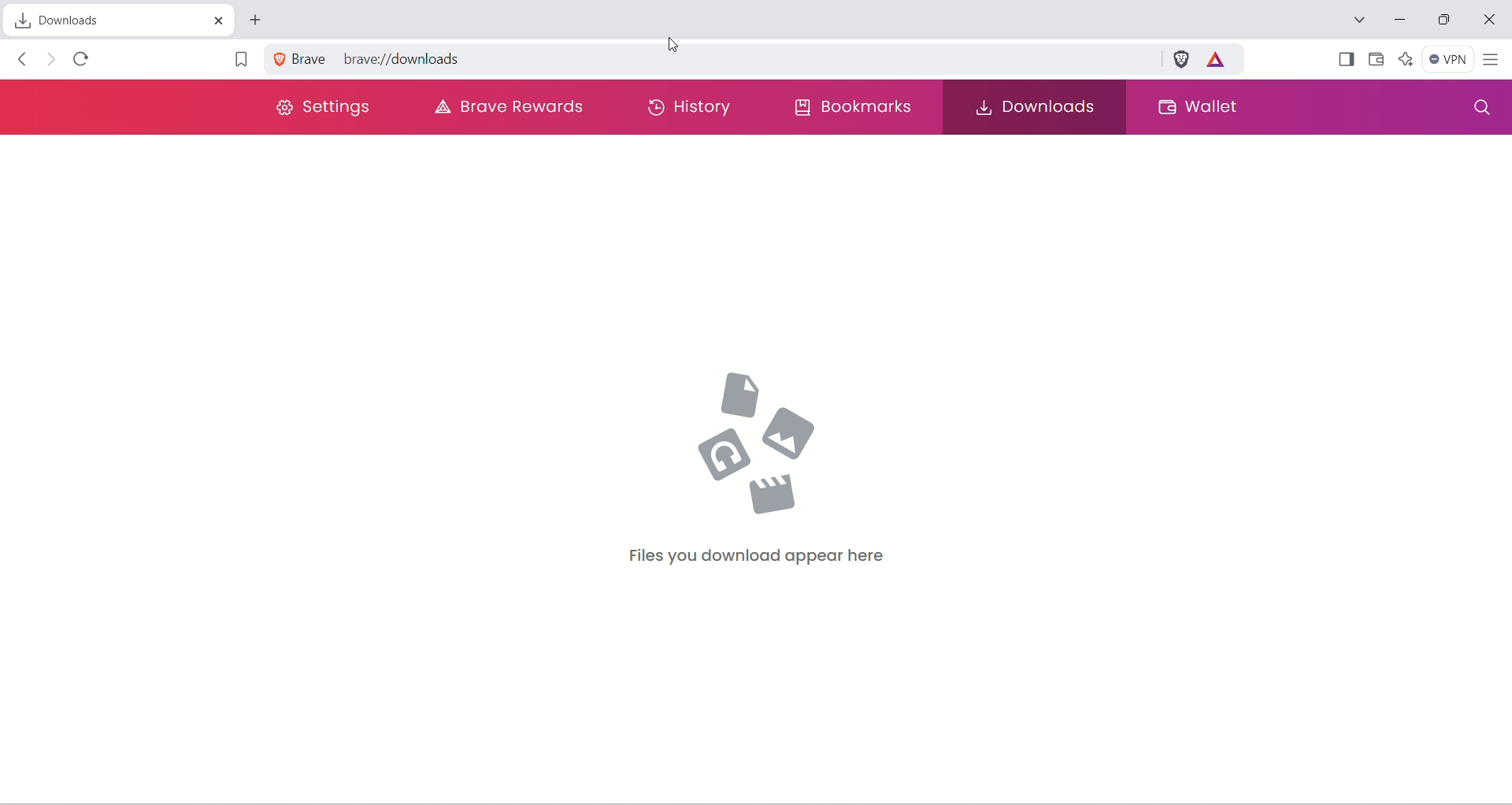 The height and width of the screenshot is (805, 1512). Describe the element at coordinates (321, 108) in the screenshot. I see `settings` at that location.